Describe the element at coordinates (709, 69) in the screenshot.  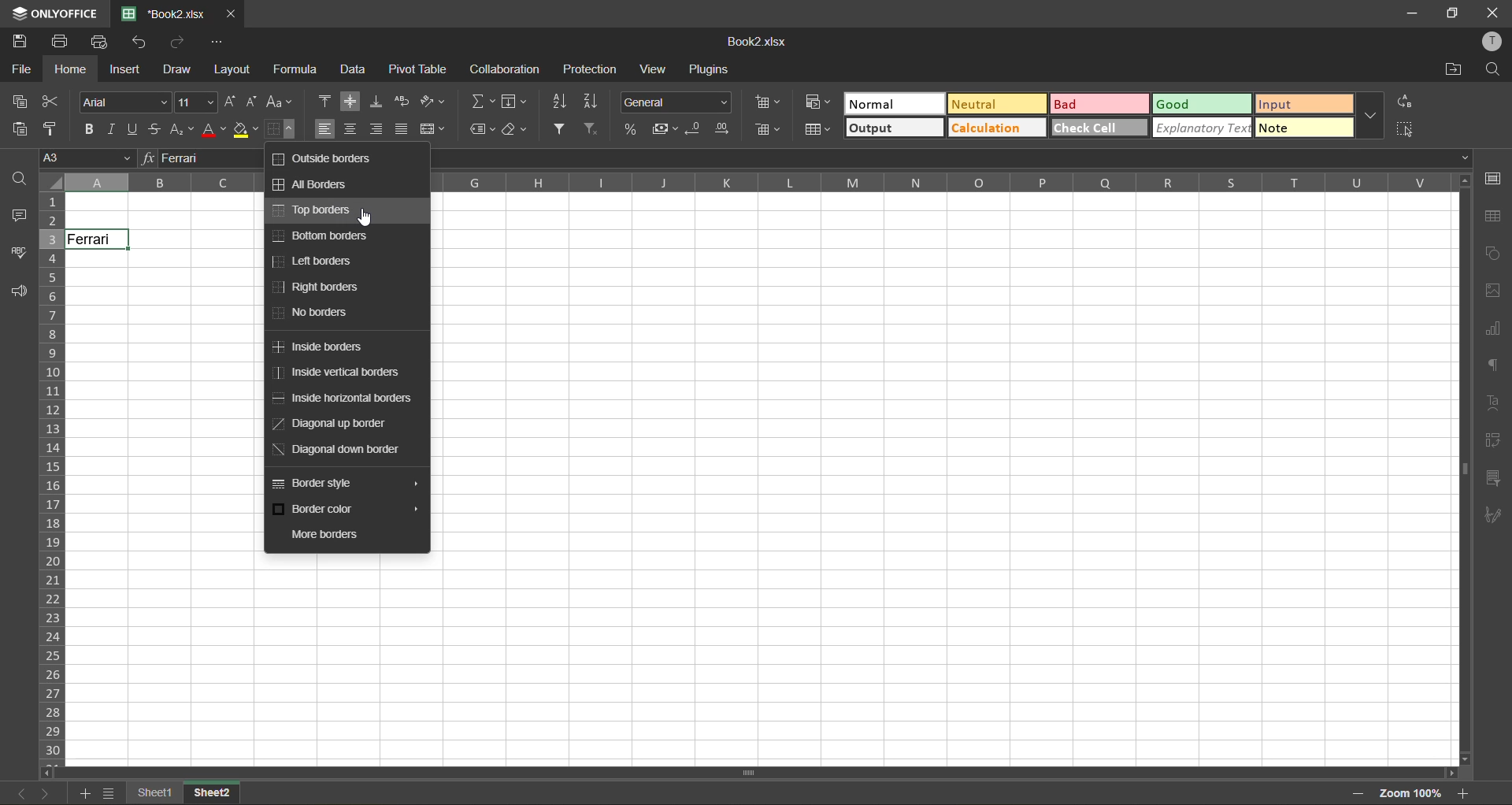
I see `plugins` at that location.